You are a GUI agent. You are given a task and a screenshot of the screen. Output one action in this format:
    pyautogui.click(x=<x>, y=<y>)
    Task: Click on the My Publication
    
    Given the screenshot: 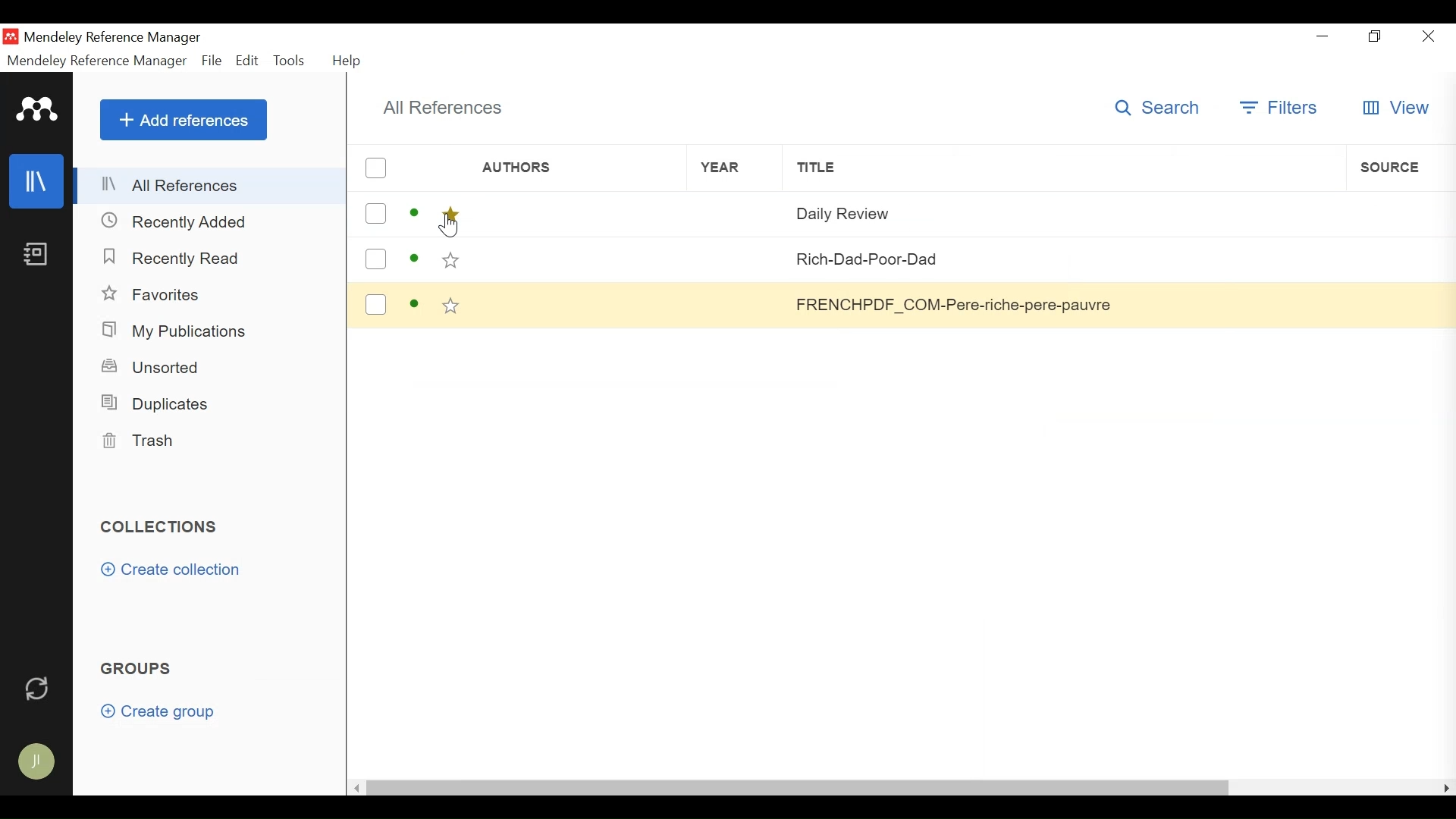 What is the action you would take?
    pyautogui.click(x=178, y=332)
    